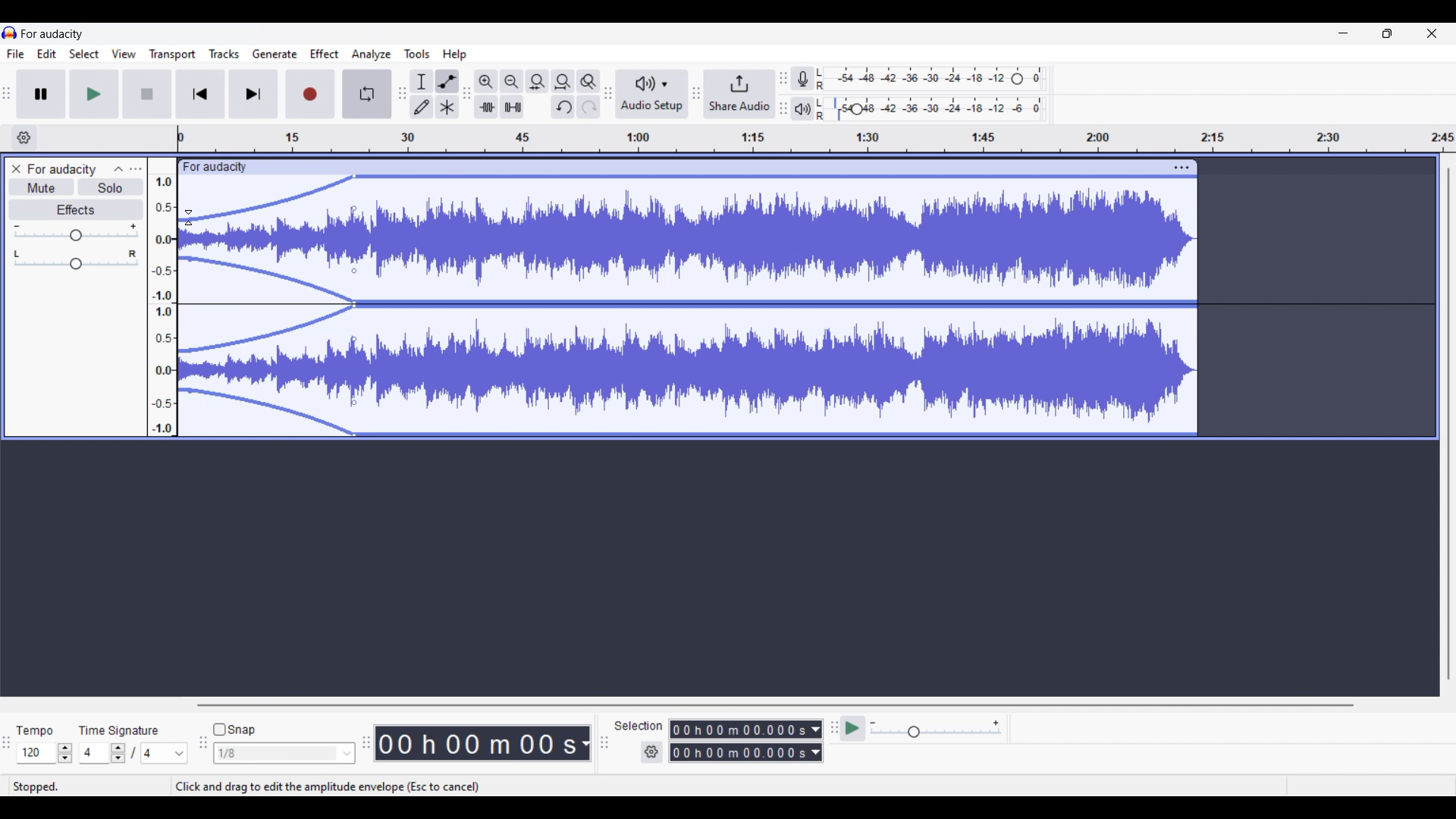  What do you see at coordinates (1343, 33) in the screenshot?
I see `Minimize ` at bounding box center [1343, 33].